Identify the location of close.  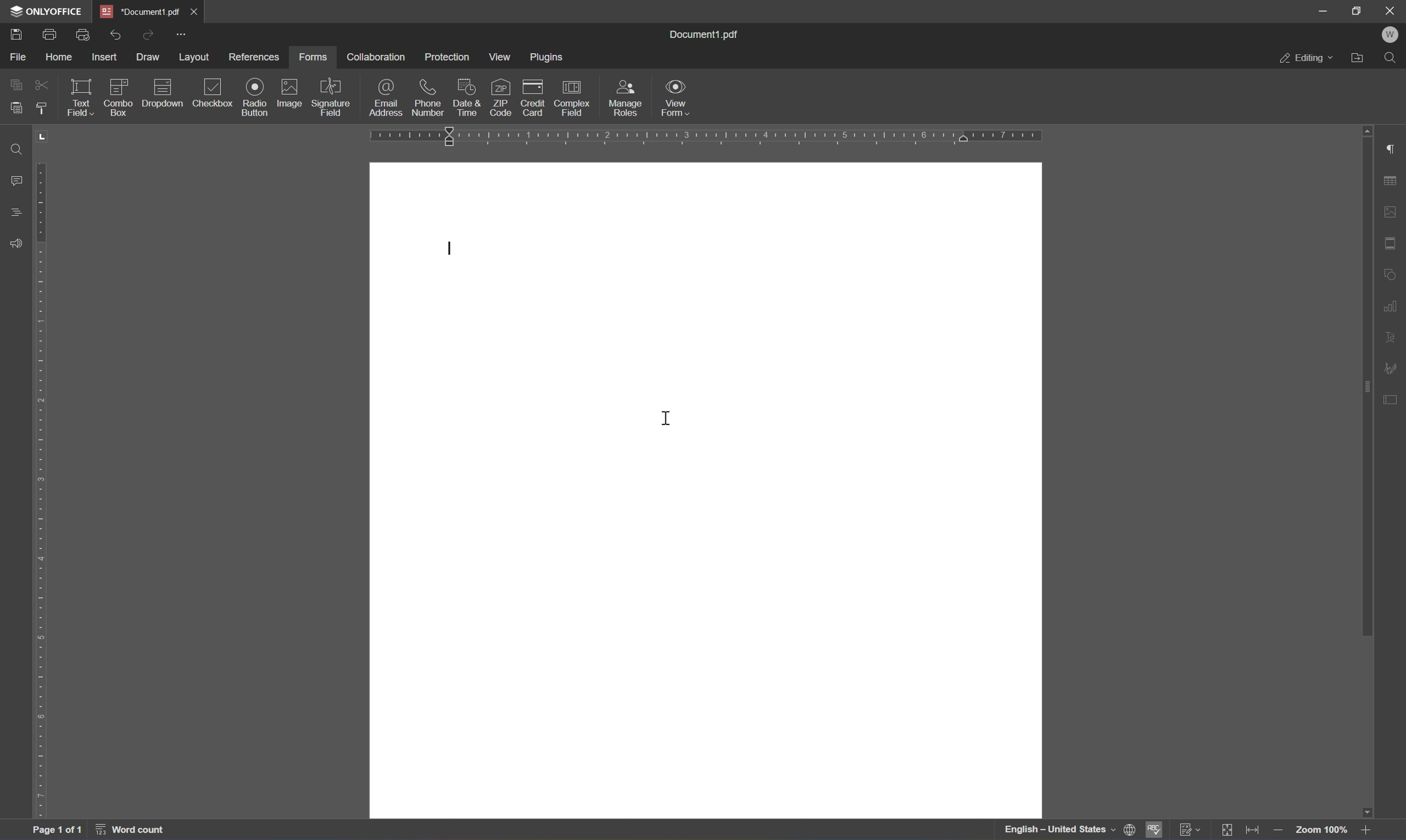
(193, 10).